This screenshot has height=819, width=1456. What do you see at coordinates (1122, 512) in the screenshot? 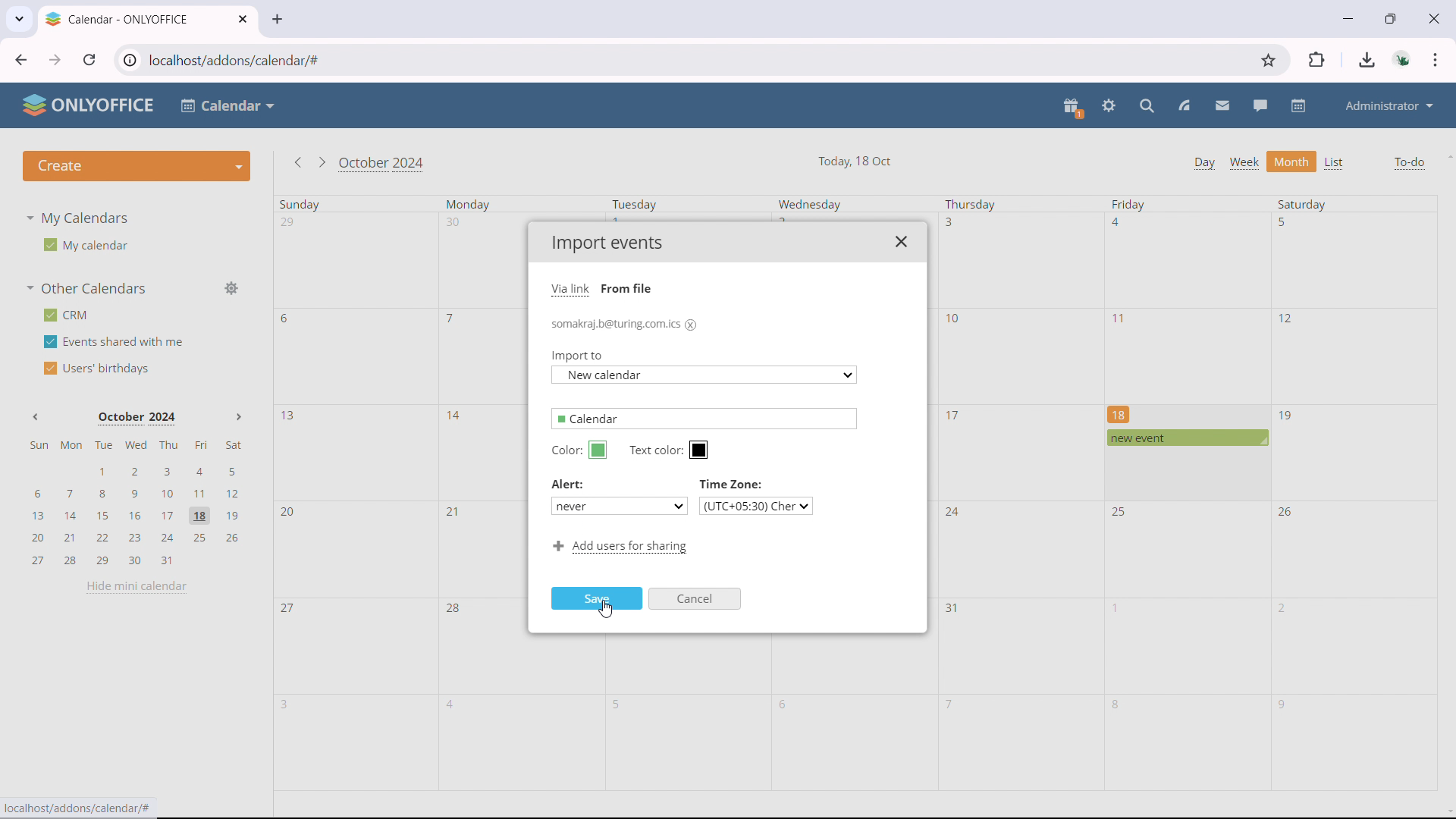
I see `25` at bounding box center [1122, 512].